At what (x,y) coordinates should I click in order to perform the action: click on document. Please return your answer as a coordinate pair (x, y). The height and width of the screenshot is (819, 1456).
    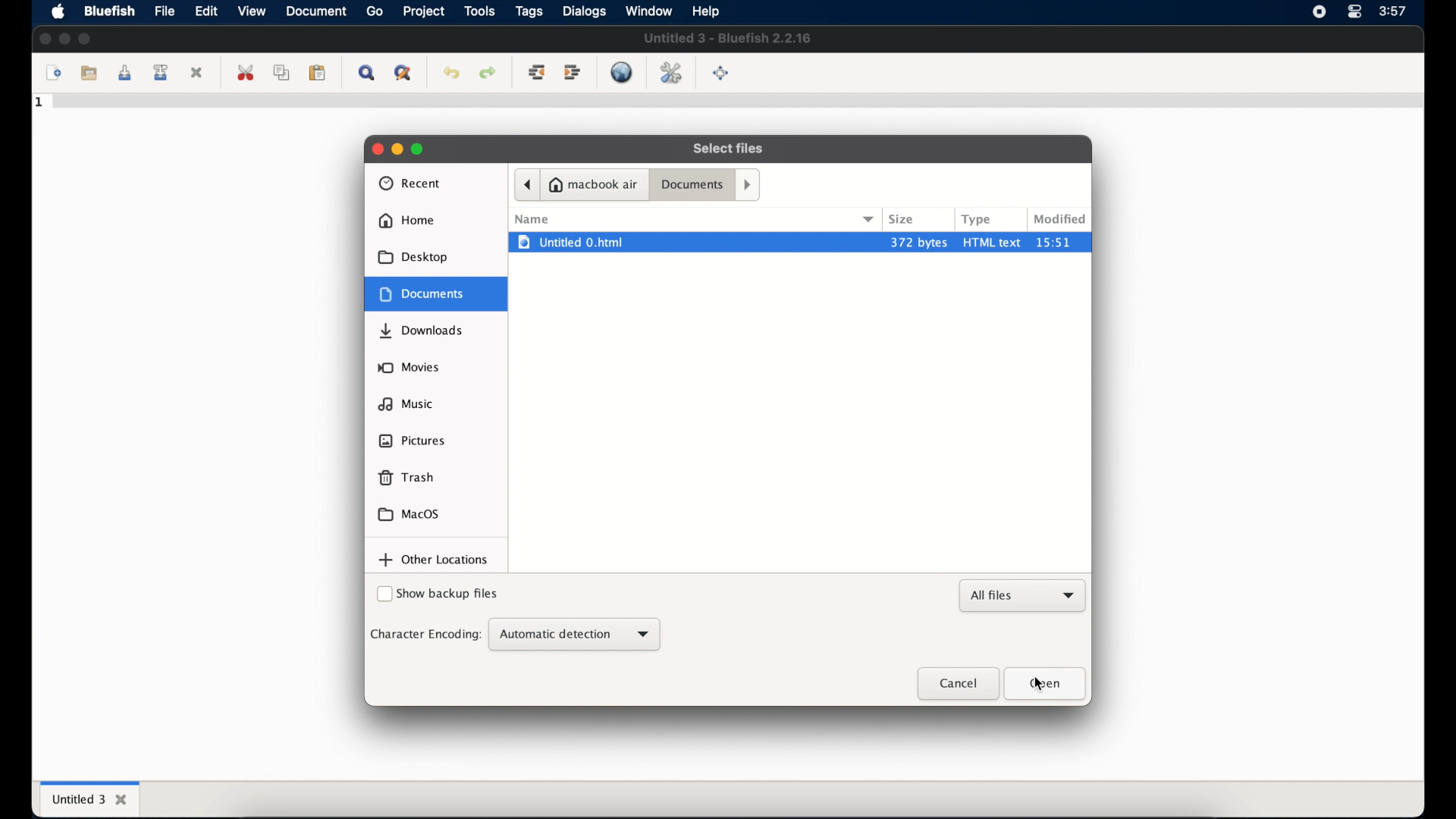
    Looking at the image, I should click on (317, 11).